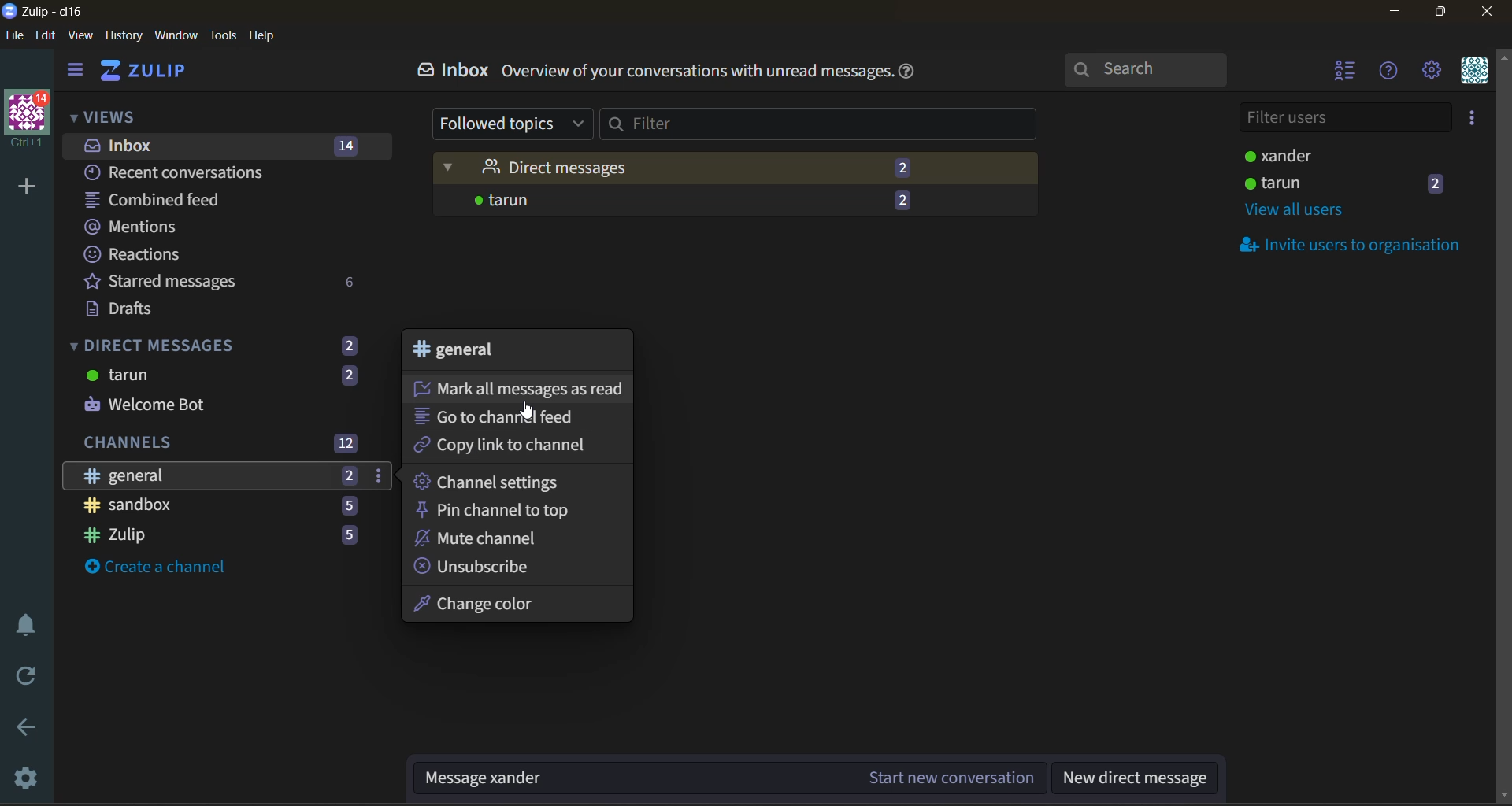 This screenshot has height=806, width=1512. Describe the element at coordinates (31, 778) in the screenshot. I see `settings` at that location.